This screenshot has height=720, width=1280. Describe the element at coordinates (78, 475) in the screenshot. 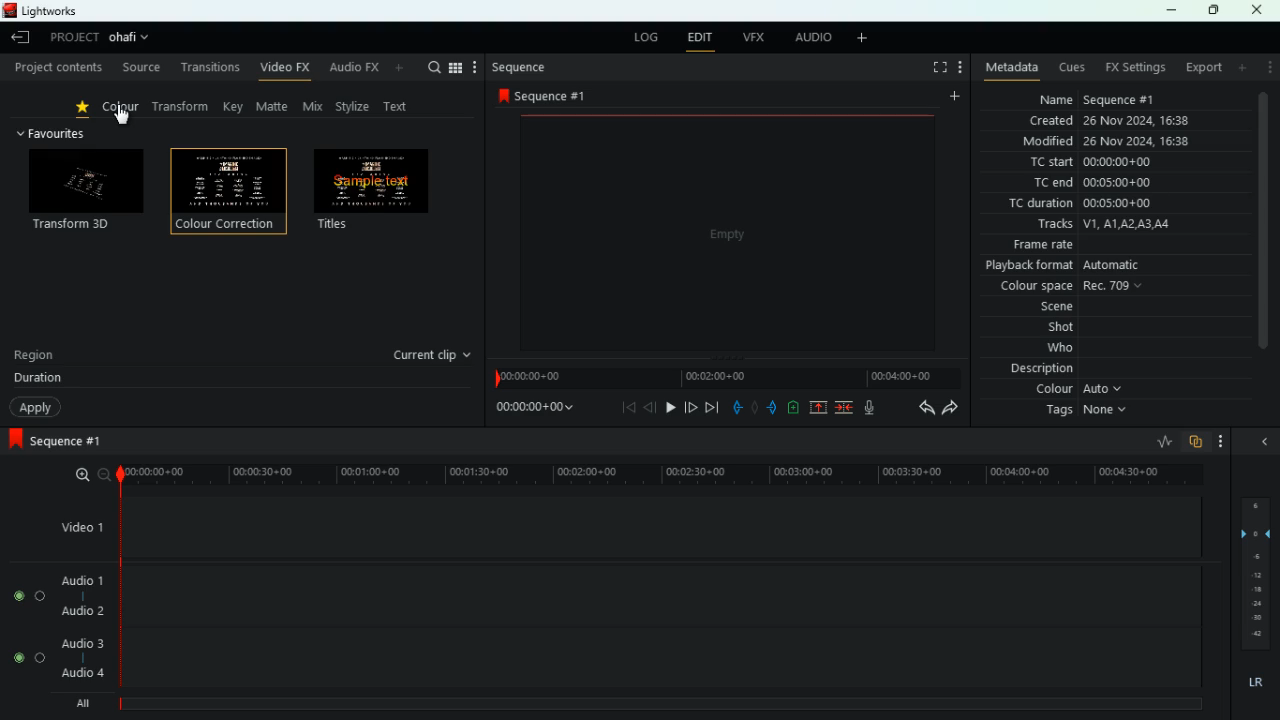

I see `zoom` at that location.